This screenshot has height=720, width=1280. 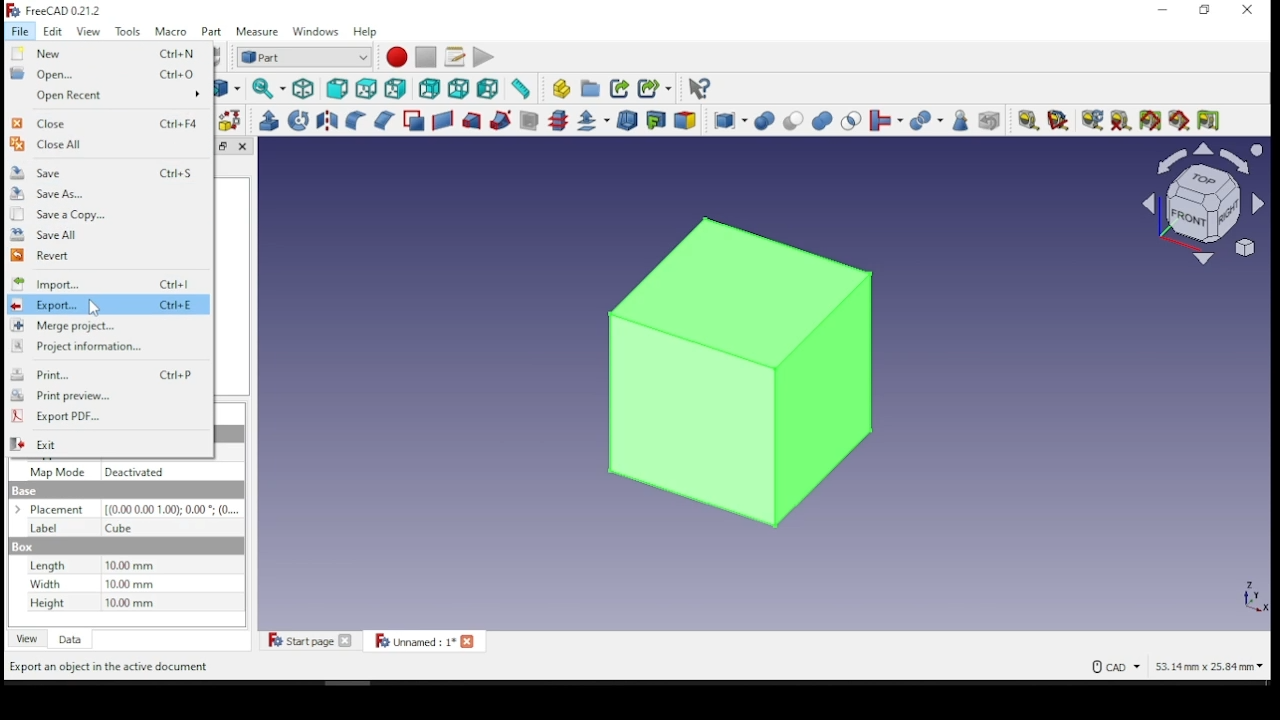 I want to click on save as, so click(x=97, y=193).